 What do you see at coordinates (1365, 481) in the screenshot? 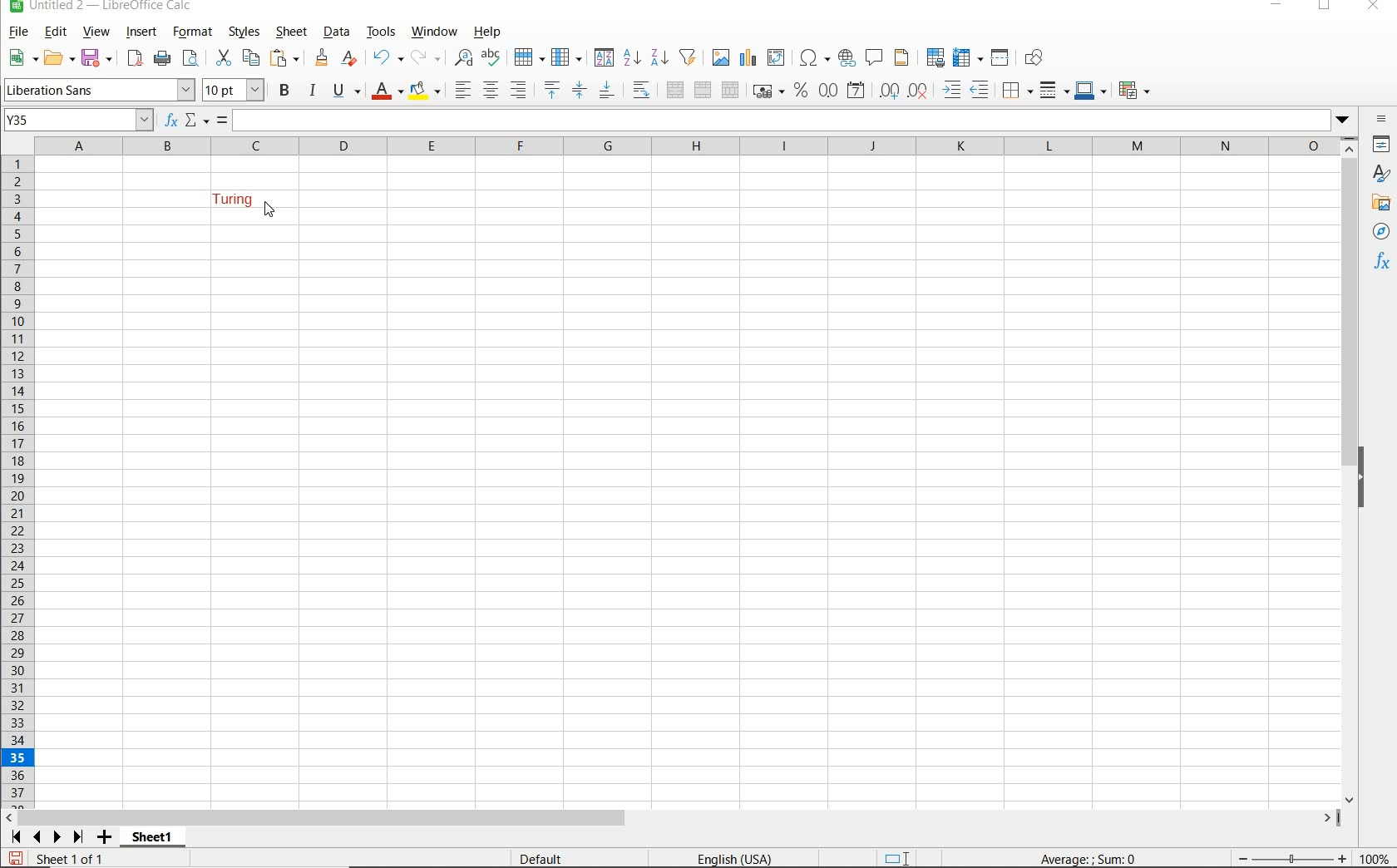
I see `HIDE` at bounding box center [1365, 481].